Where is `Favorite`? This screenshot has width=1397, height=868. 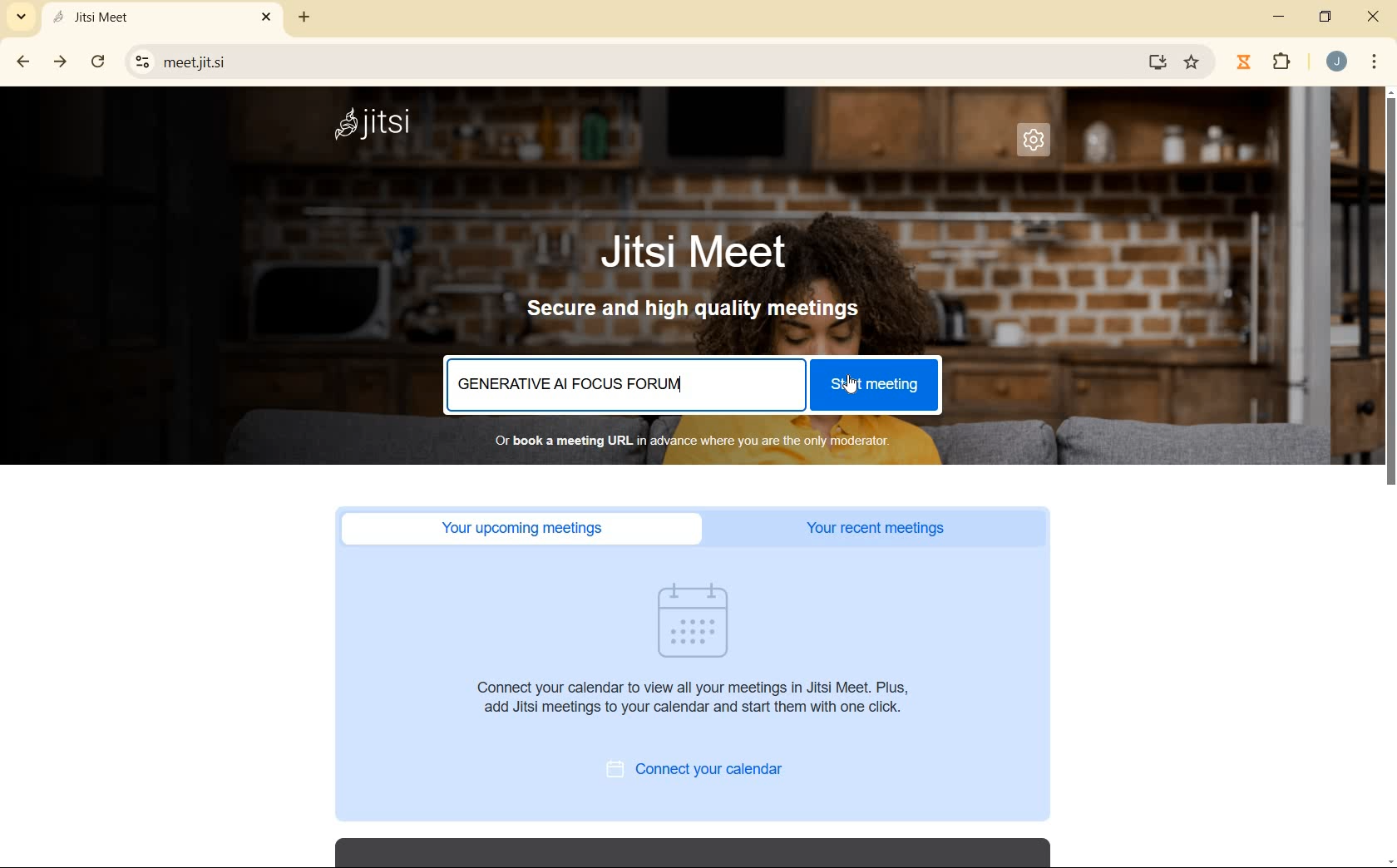 Favorite is located at coordinates (1191, 65).